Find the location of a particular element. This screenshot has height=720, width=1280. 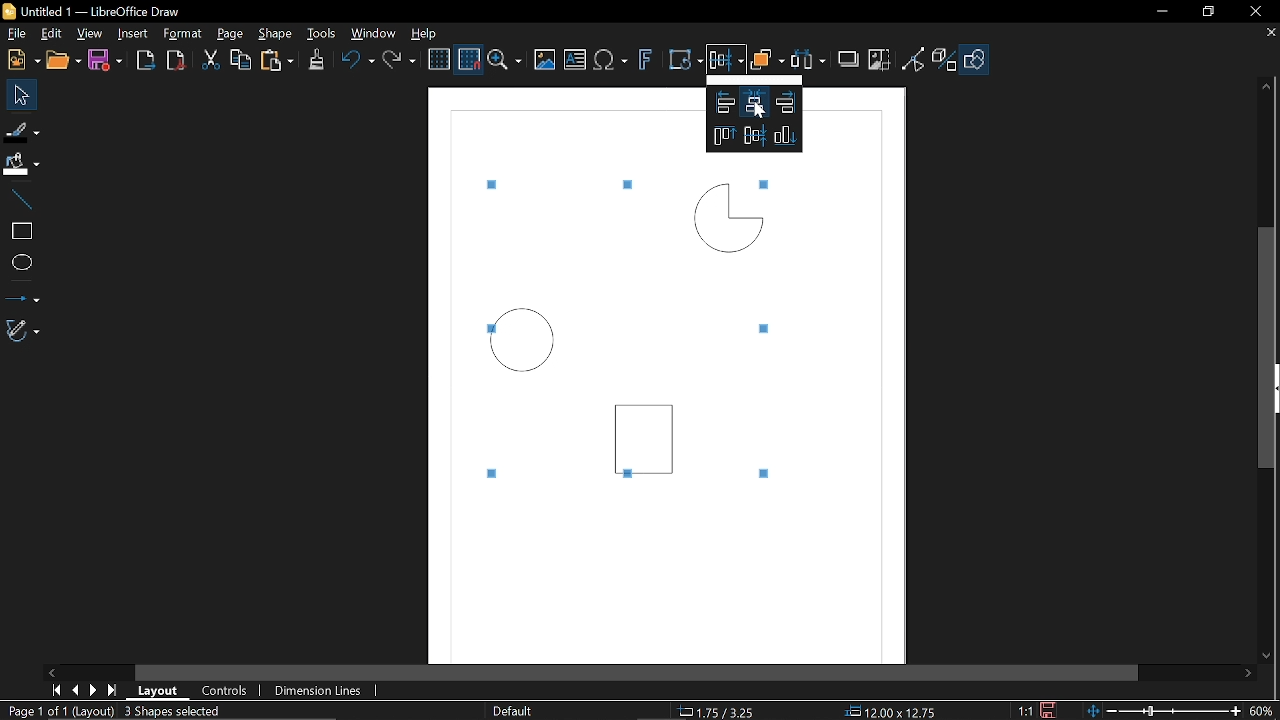

REstore down is located at coordinates (1211, 15).